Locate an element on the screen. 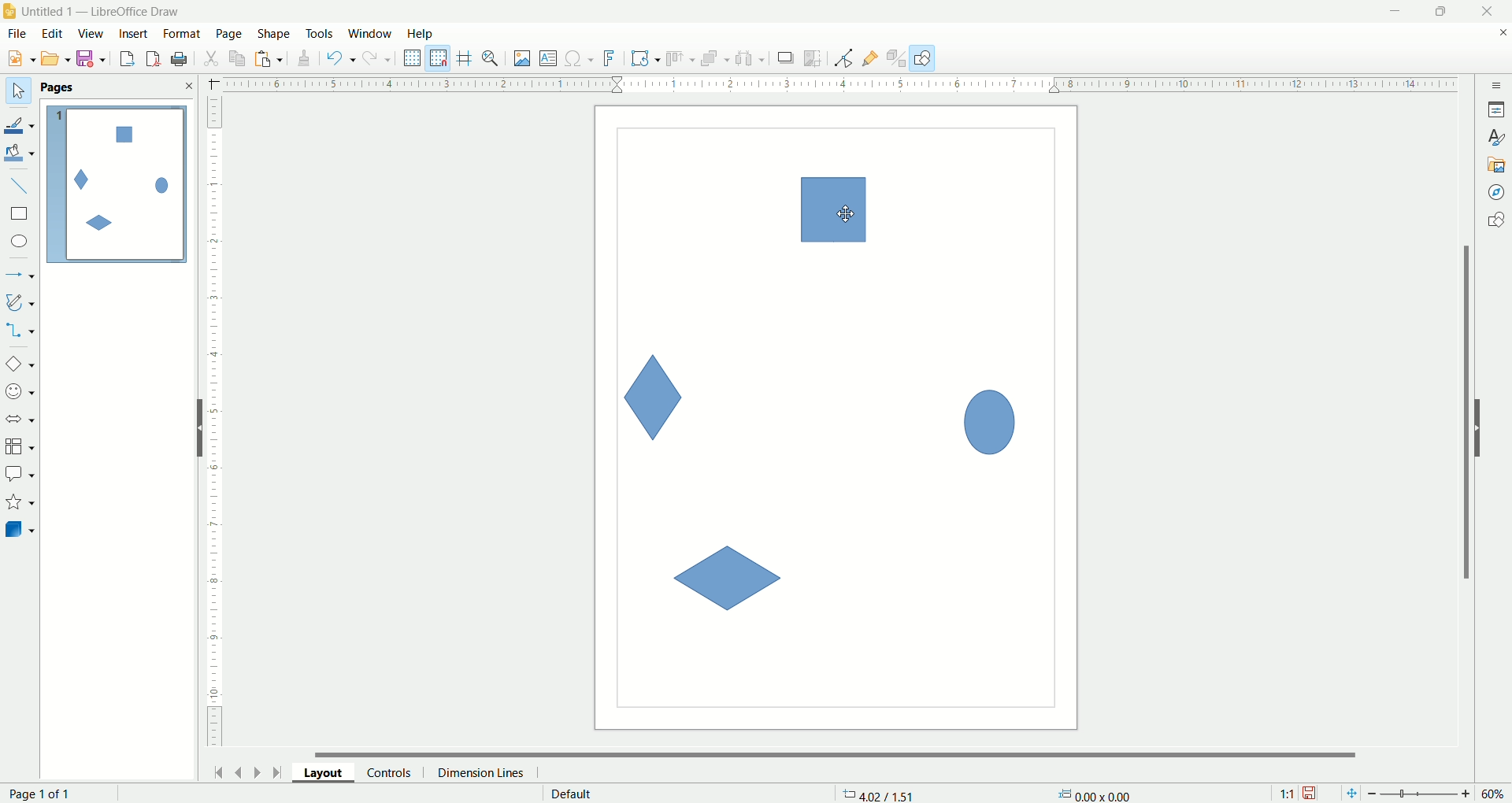 The width and height of the screenshot is (1512, 803). styles is located at coordinates (1496, 135).